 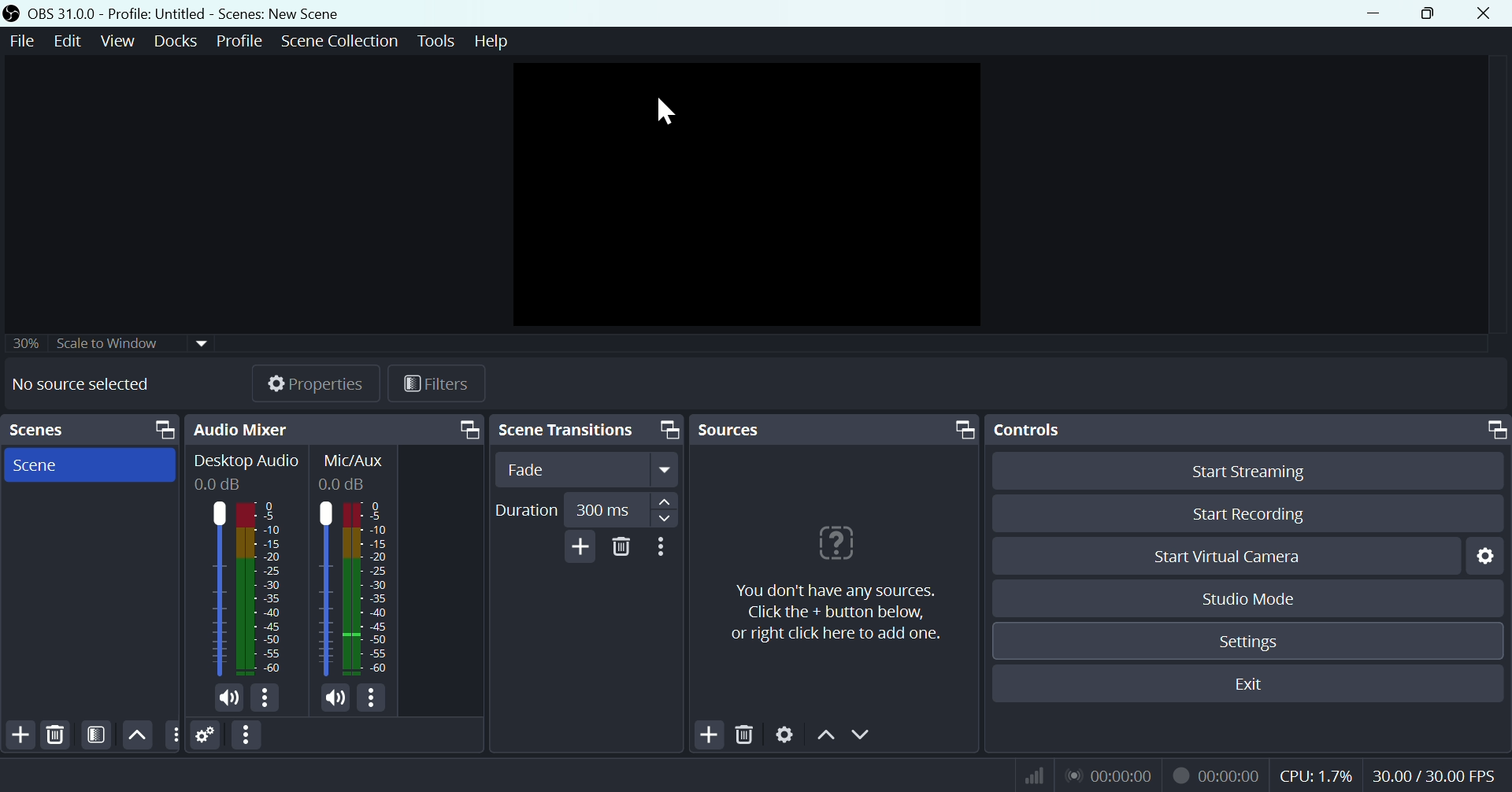 What do you see at coordinates (620, 557) in the screenshot?
I see `Delete` at bounding box center [620, 557].